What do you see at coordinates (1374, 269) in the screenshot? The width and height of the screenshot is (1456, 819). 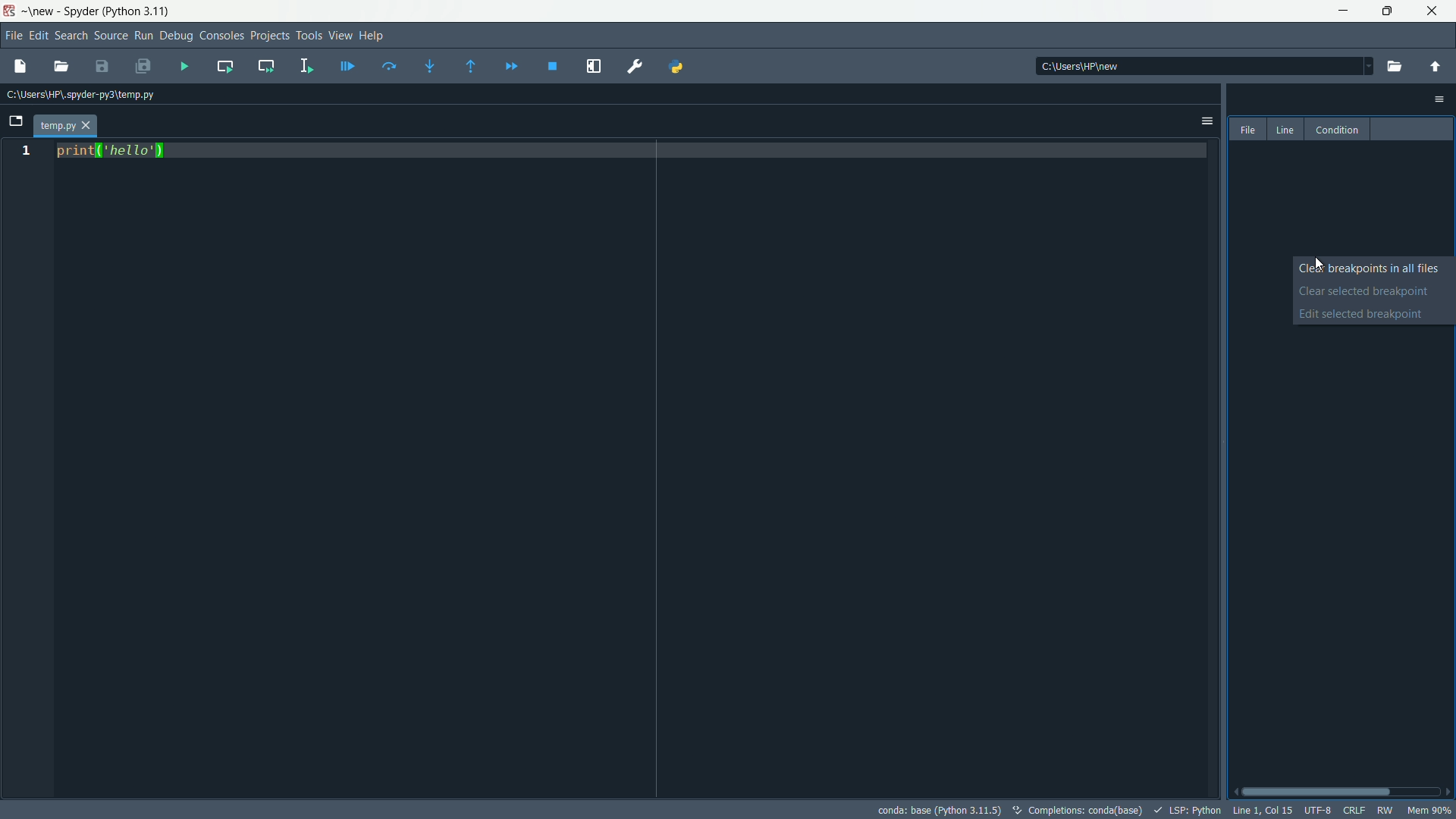 I see `clear breakpoints in all files` at bounding box center [1374, 269].